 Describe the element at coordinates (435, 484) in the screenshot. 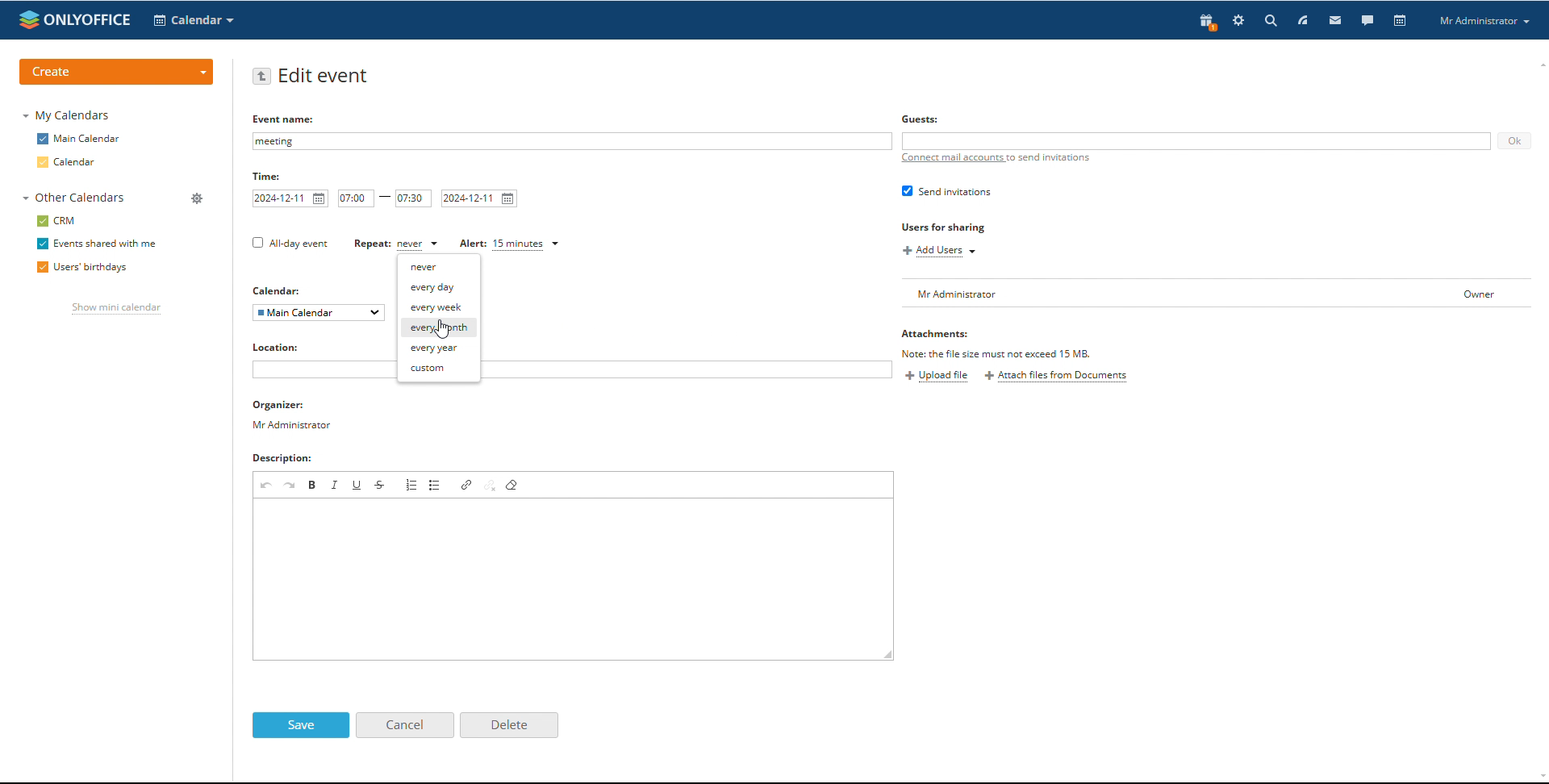

I see `insert/remove bulleted list` at that location.